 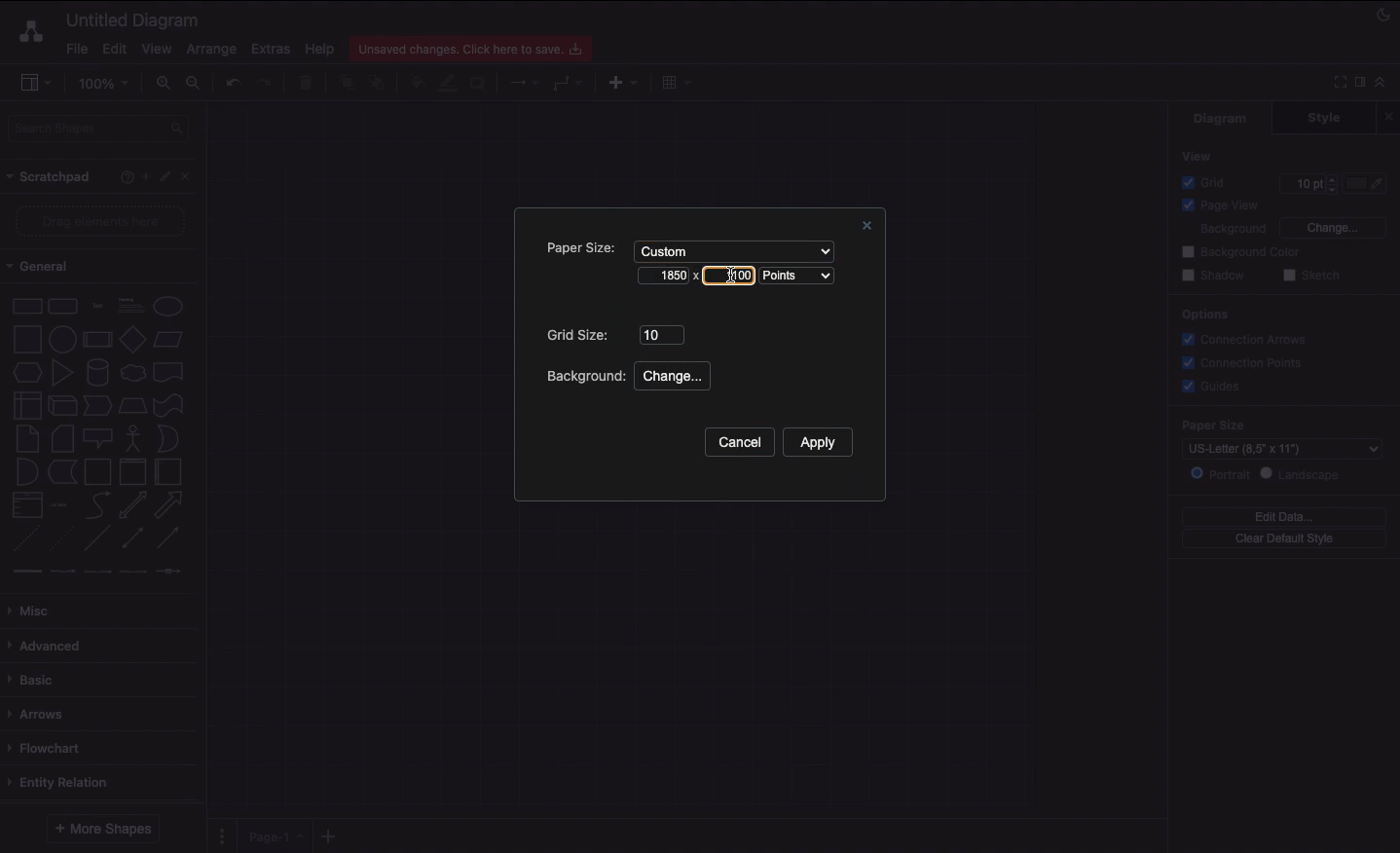 What do you see at coordinates (97, 471) in the screenshot?
I see `Container` at bounding box center [97, 471].